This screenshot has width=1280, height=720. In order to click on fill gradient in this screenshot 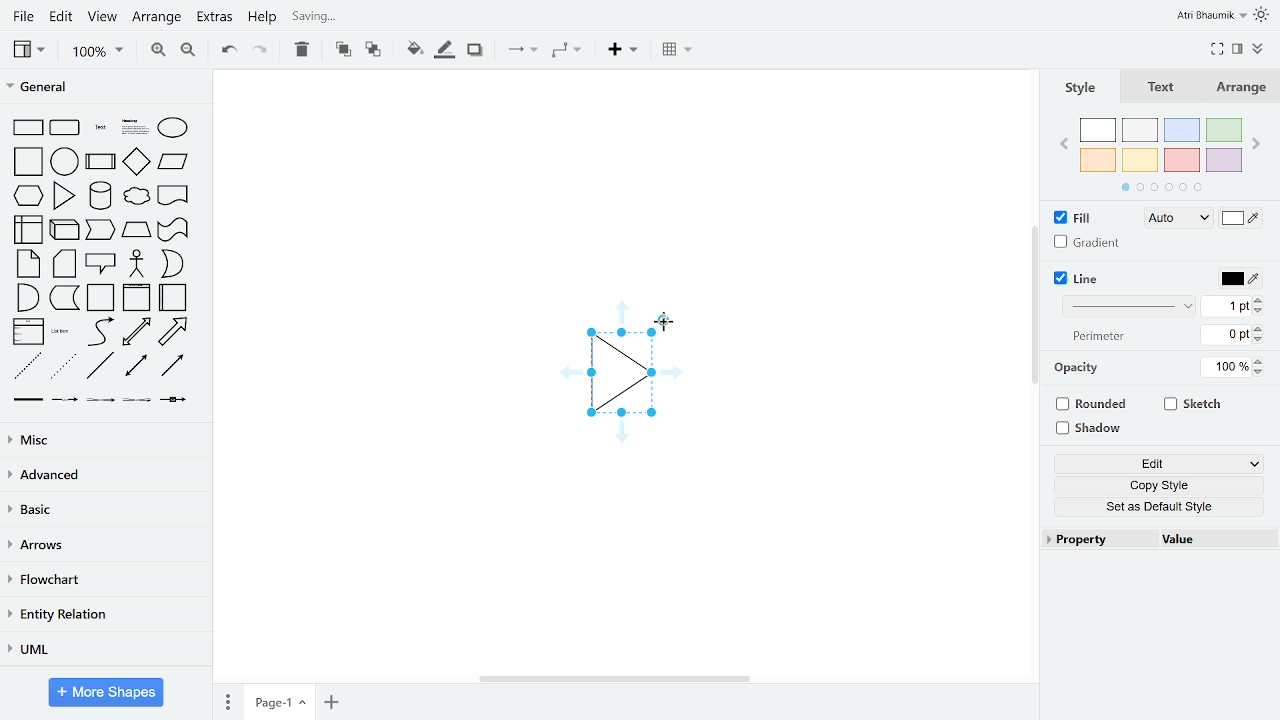, I will do `click(1088, 243)`.